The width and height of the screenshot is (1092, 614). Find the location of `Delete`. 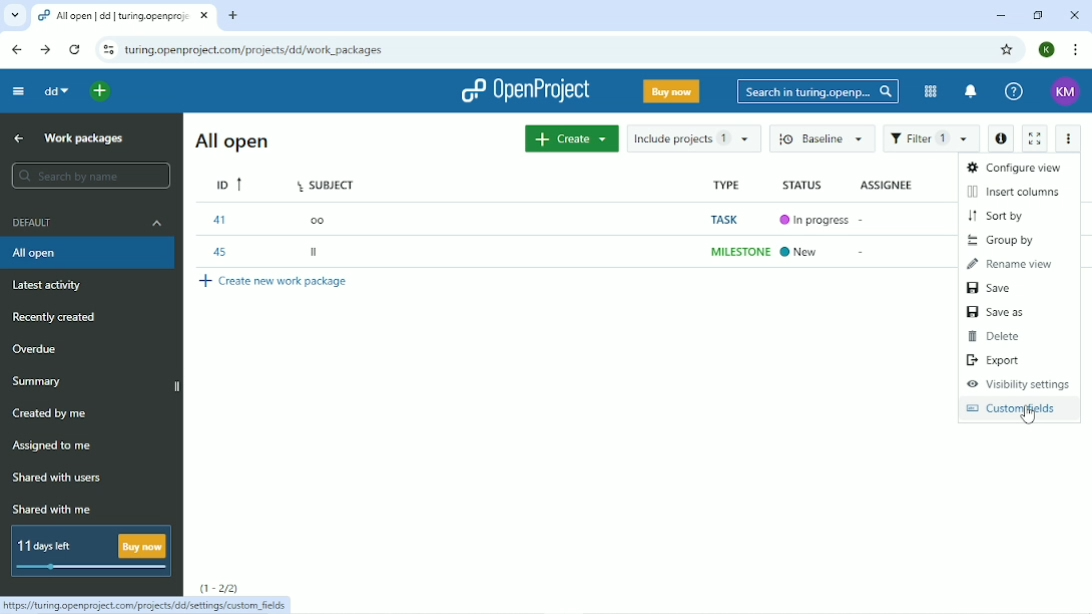

Delete is located at coordinates (1000, 336).